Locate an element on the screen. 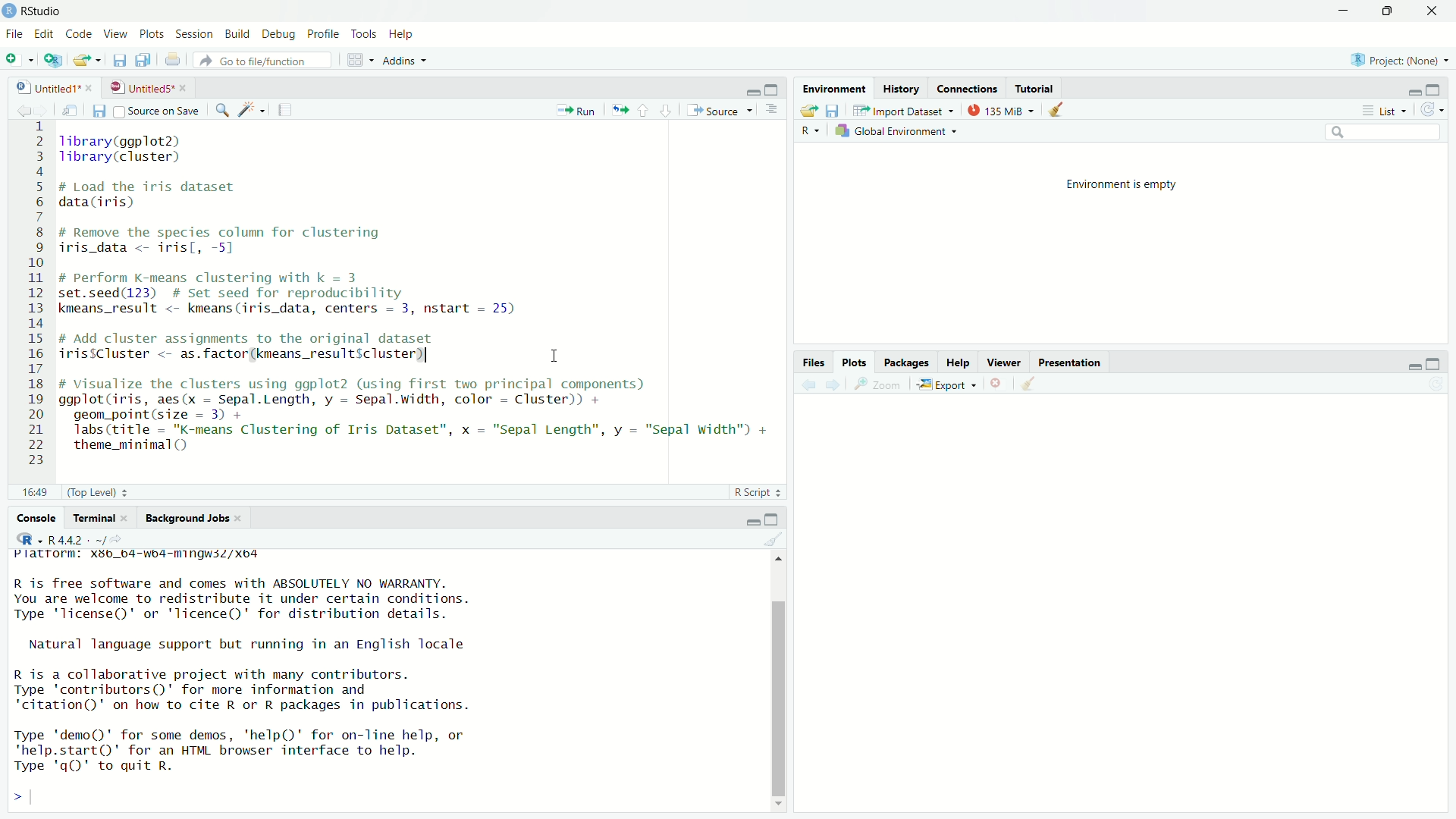 This screenshot has height=819, width=1456. minimize is located at coordinates (1339, 10).